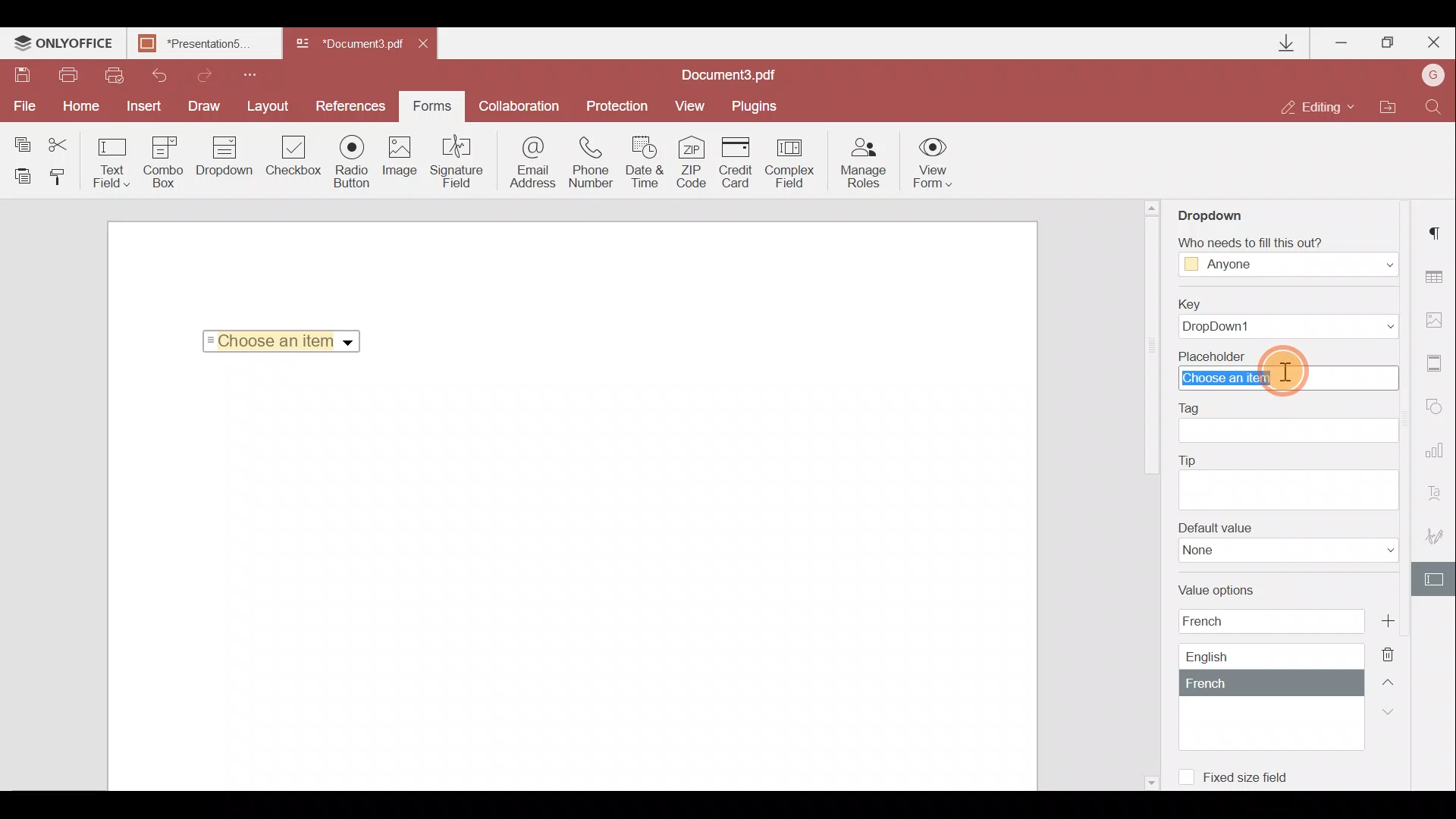 The height and width of the screenshot is (819, 1456). Describe the element at coordinates (428, 41) in the screenshot. I see `Close` at that location.